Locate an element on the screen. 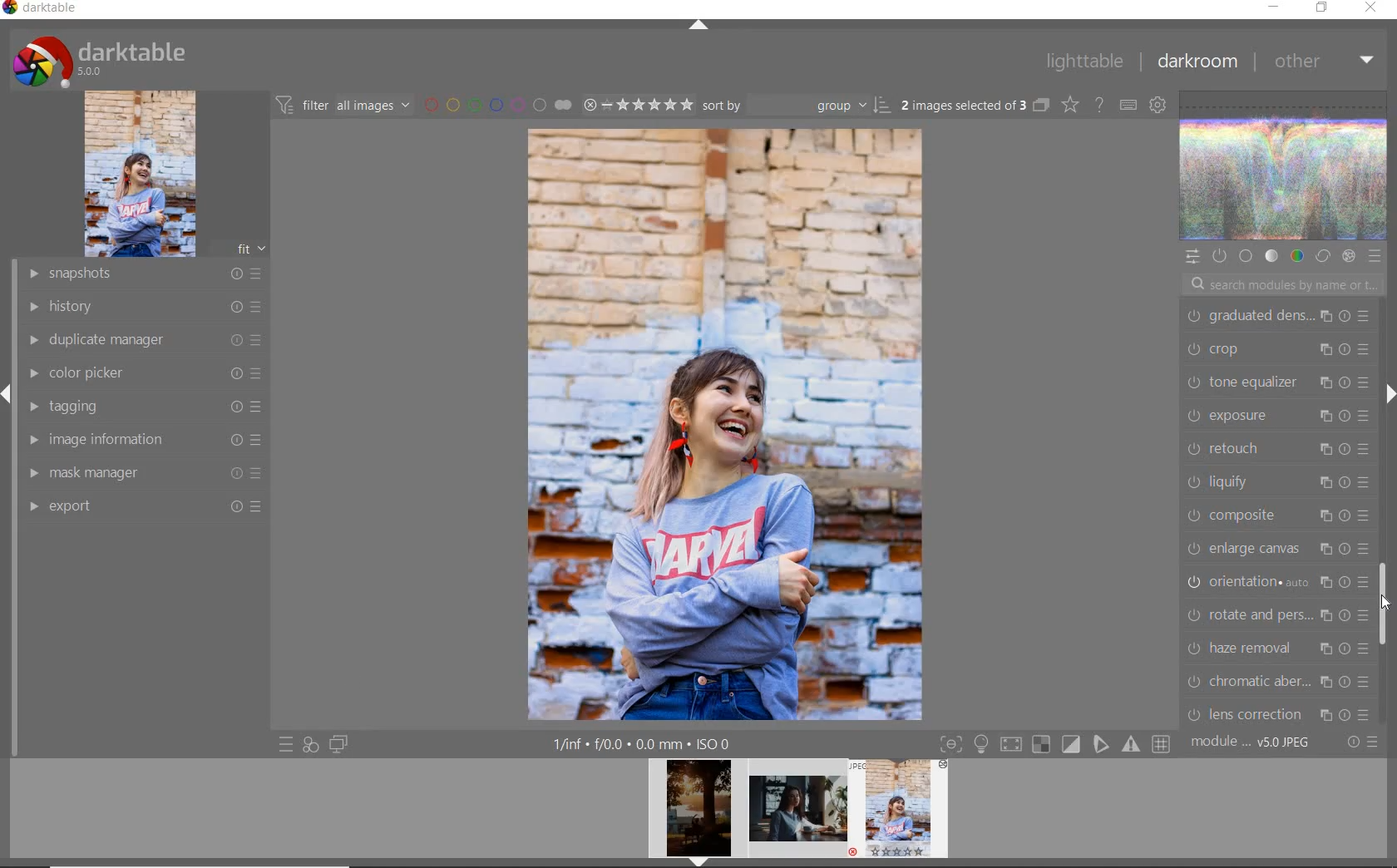  exposure is located at coordinates (1278, 417).